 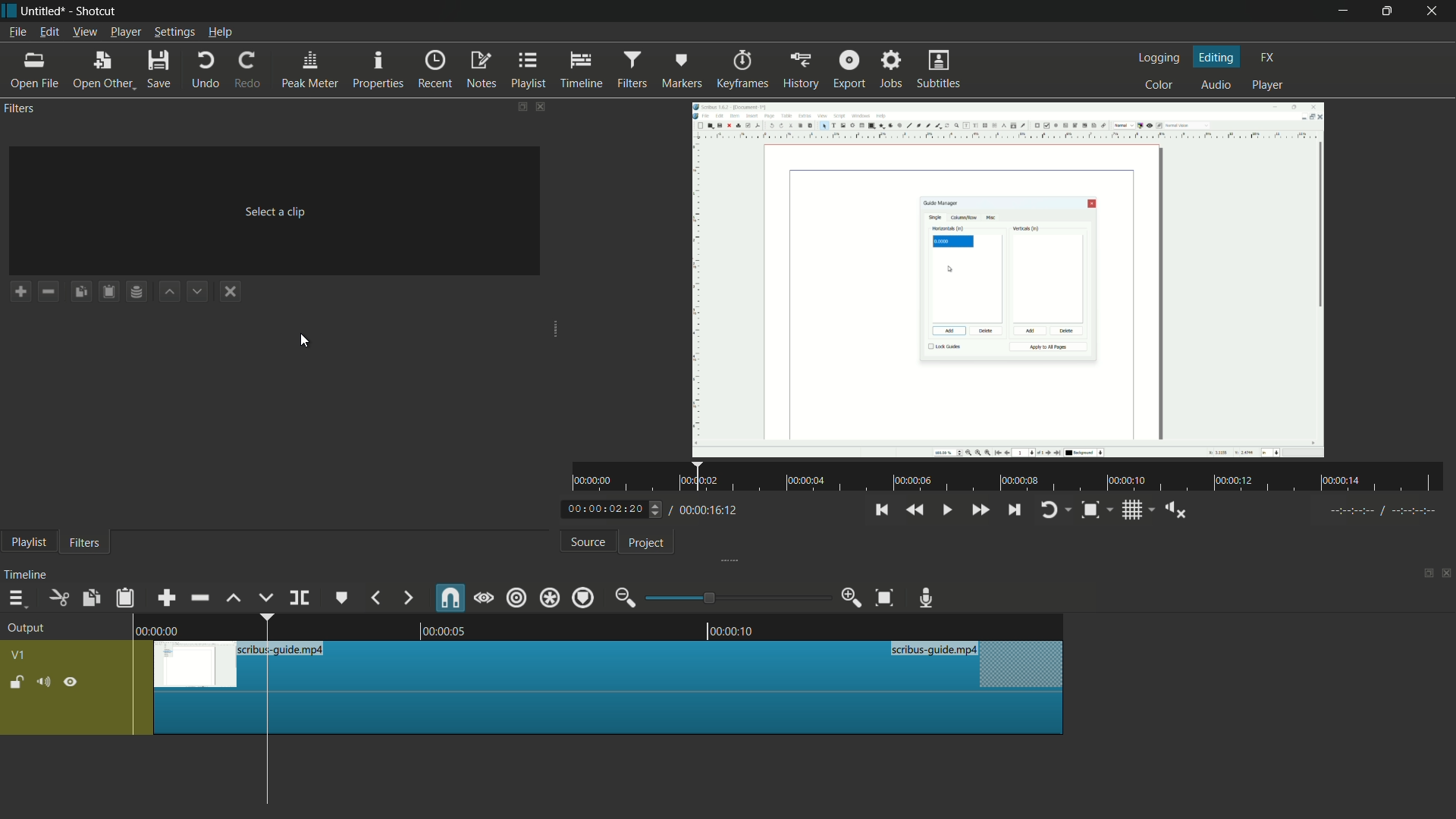 What do you see at coordinates (1009, 279) in the screenshot?
I see `imported file` at bounding box center [1009, 279].